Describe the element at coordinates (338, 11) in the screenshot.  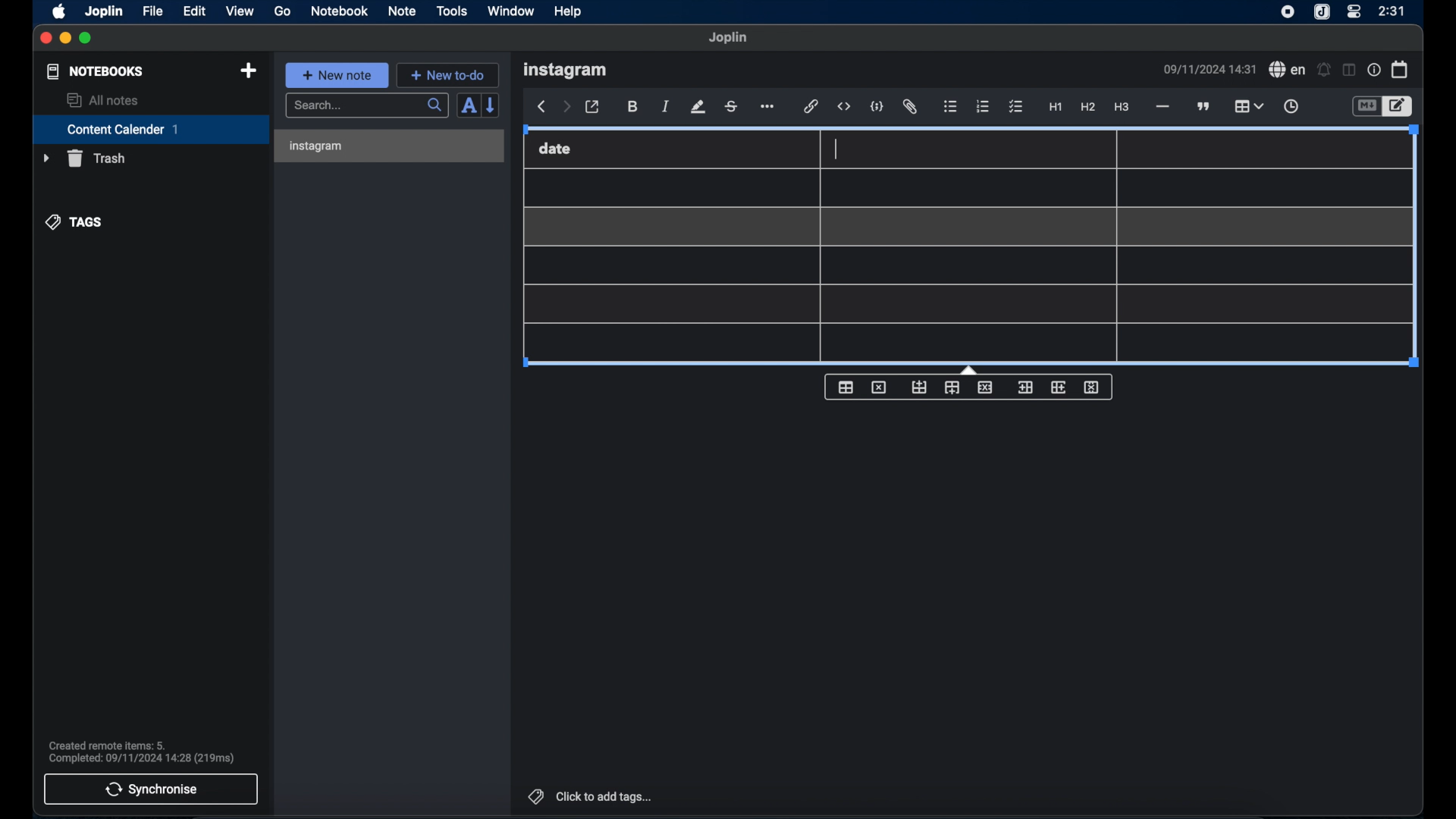
I see `notebook` at that location.